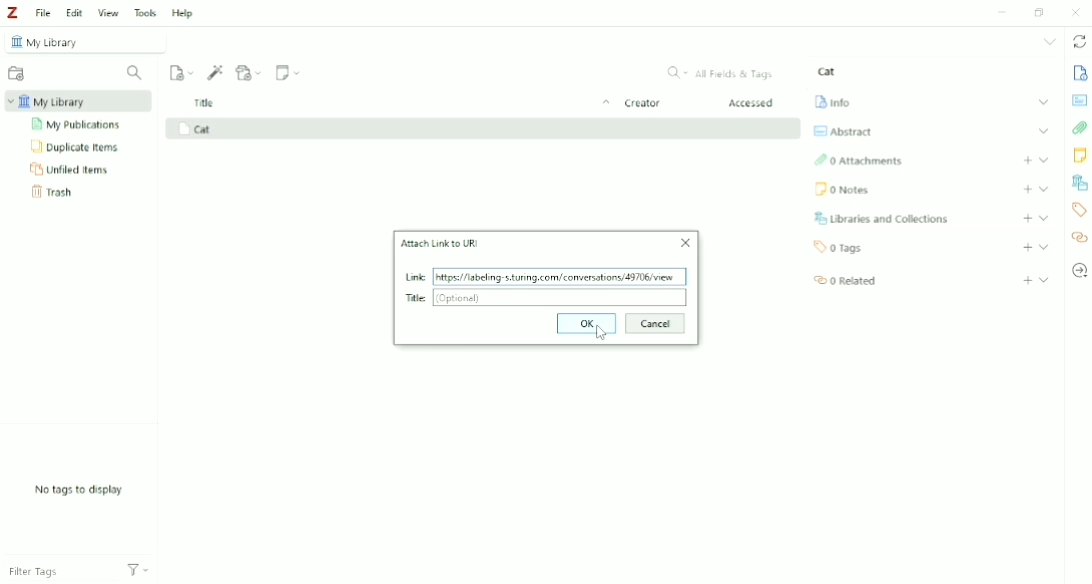  I want to click on Notes, so click(1080, 155).